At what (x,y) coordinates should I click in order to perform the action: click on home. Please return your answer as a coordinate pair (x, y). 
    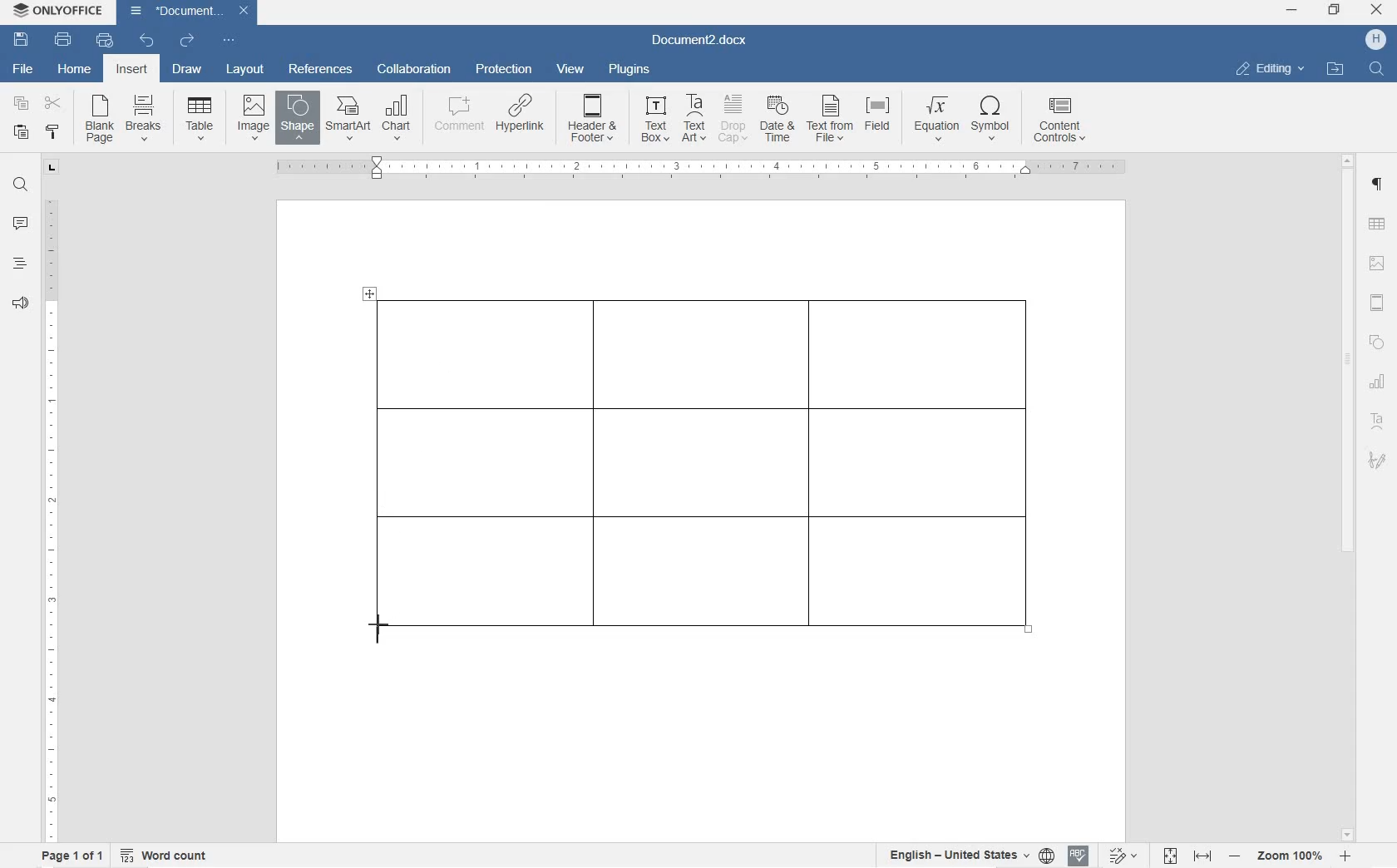
    Looking at the image, I should click on (76, 70).